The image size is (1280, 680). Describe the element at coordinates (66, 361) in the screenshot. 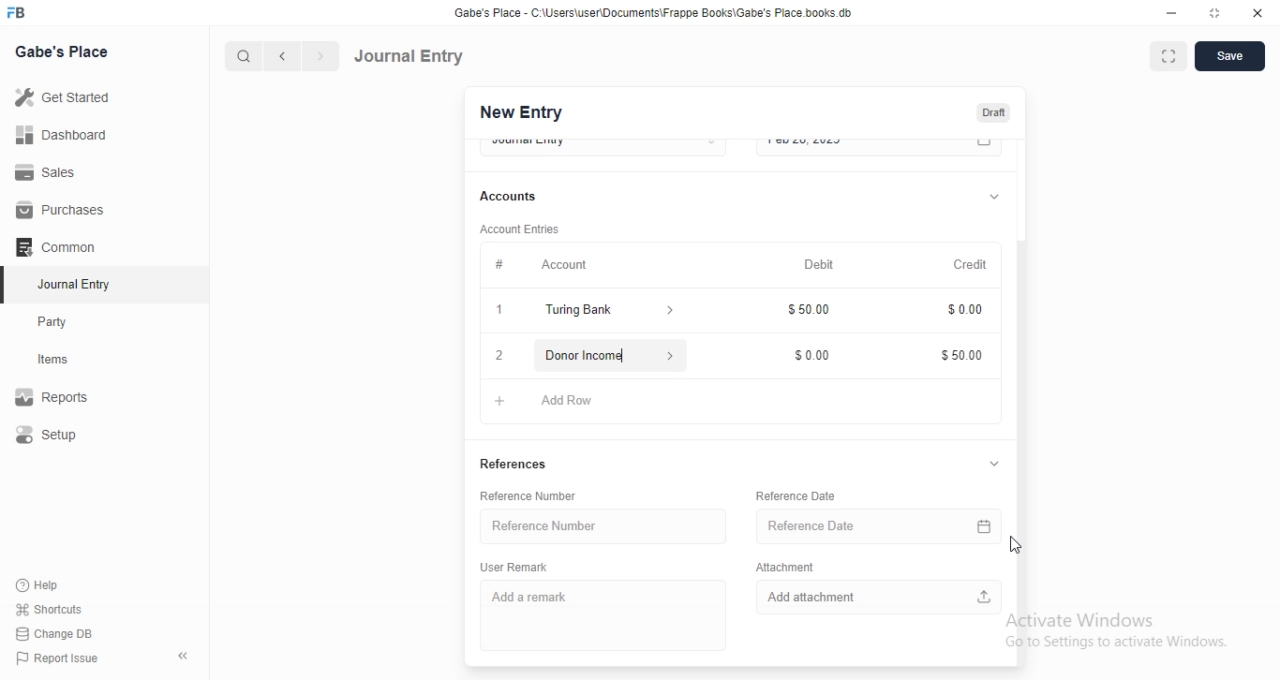

I see `items` at that location.